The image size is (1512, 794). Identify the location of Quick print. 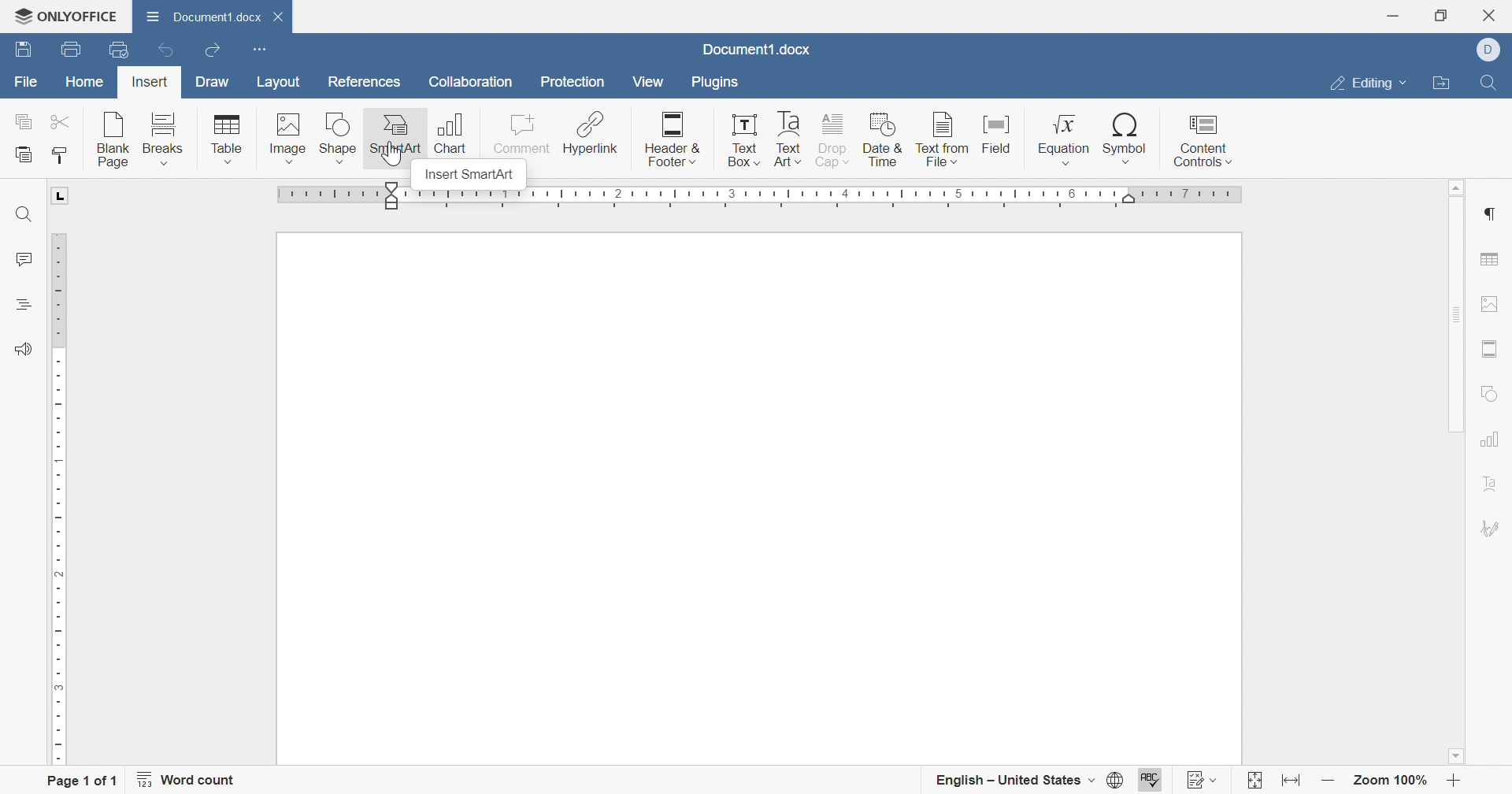
(120, 51).